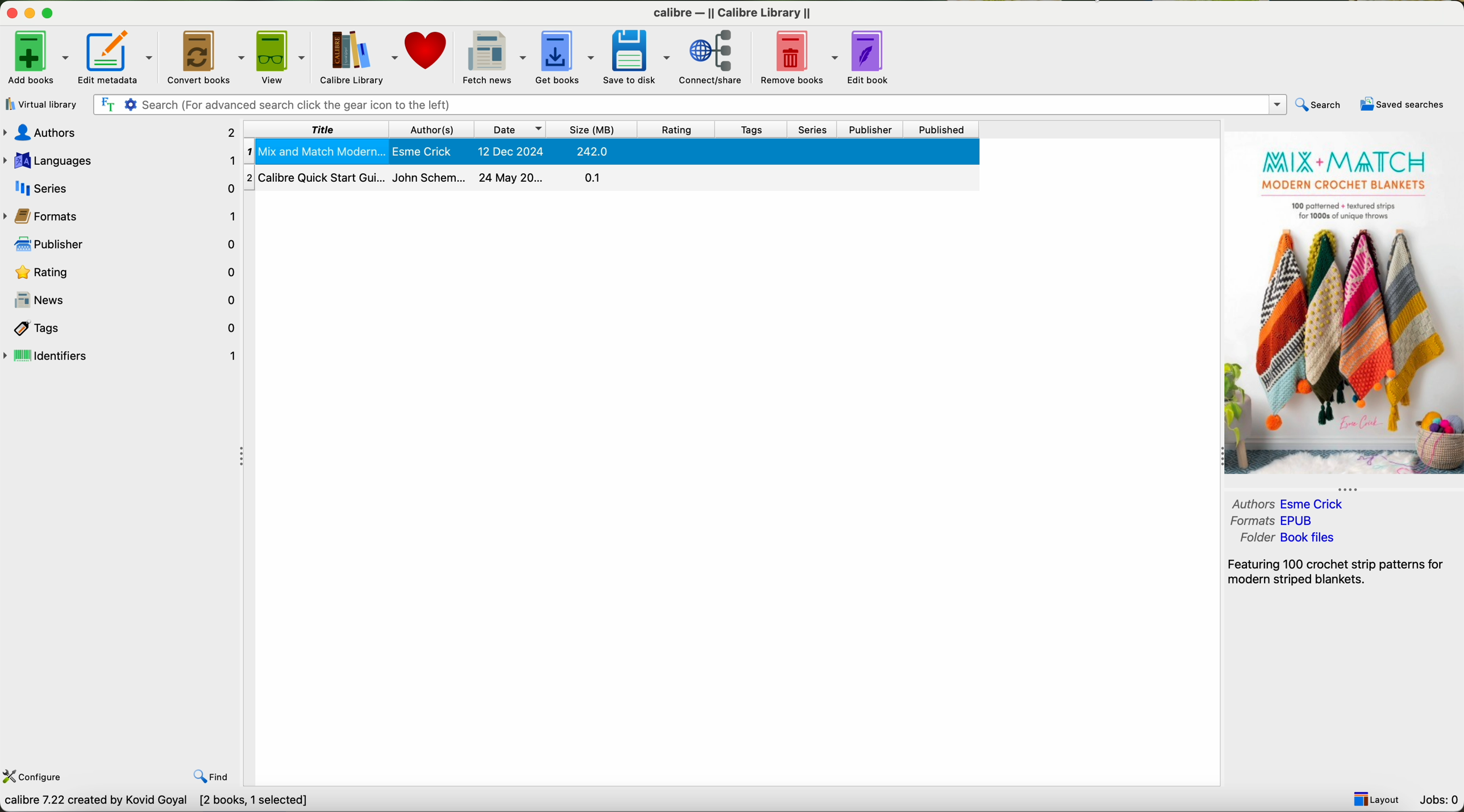  I want to click on data, so click(159, 802).